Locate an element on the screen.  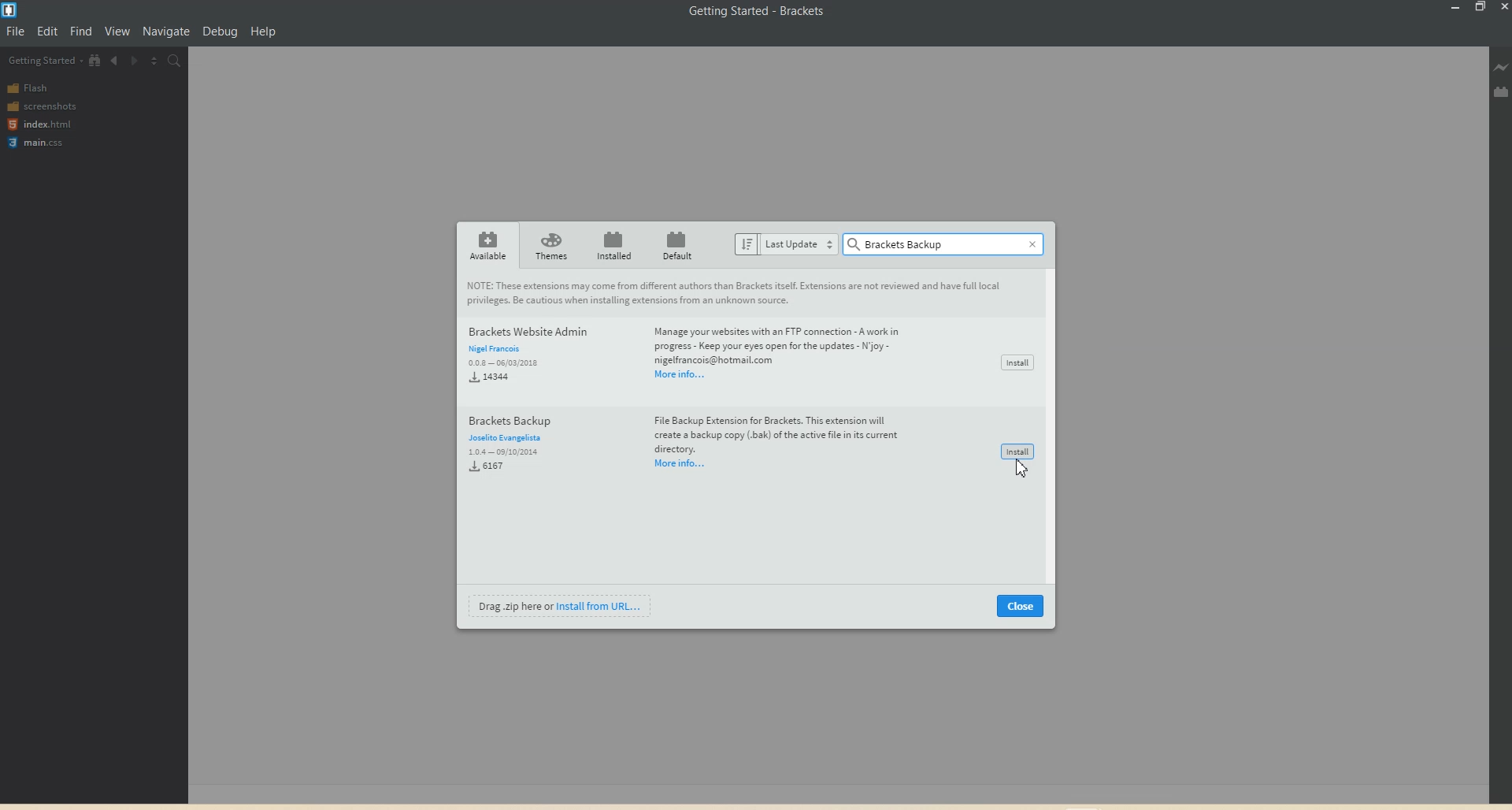
Close is located at coordinates (1035, 243).